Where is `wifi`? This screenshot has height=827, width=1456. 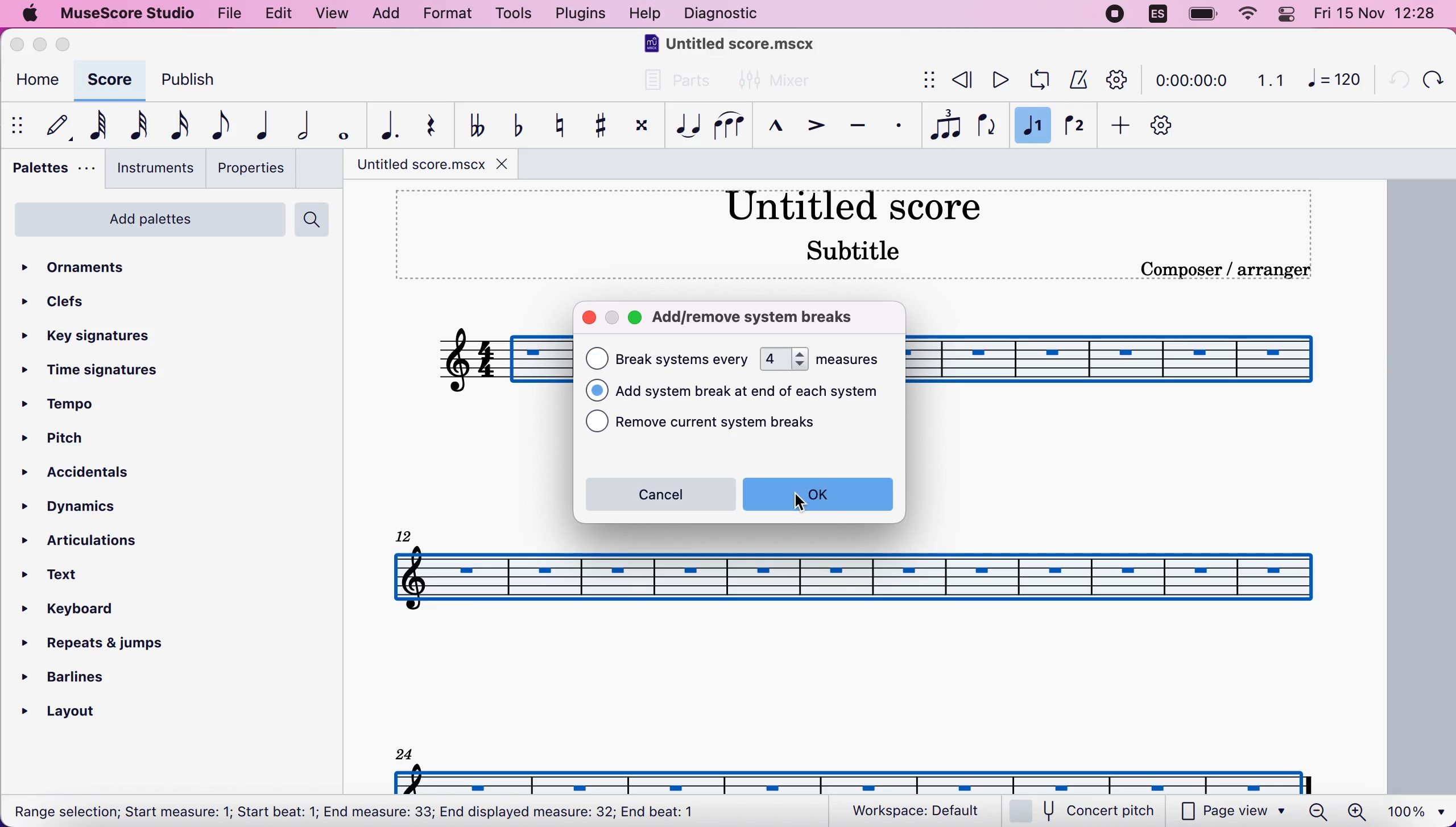
wifi is located at coordinates (1246, 14).